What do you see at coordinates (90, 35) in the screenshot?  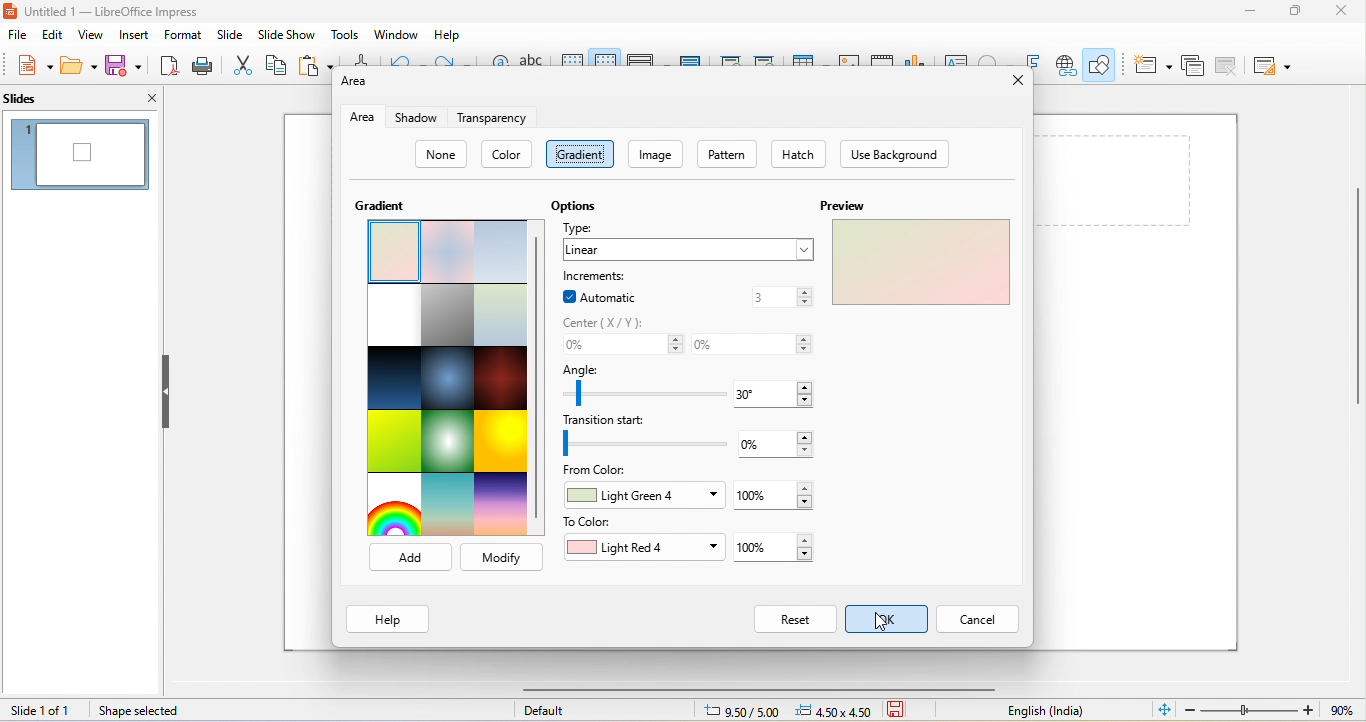 I see `view` at bounding box center [90, 35].